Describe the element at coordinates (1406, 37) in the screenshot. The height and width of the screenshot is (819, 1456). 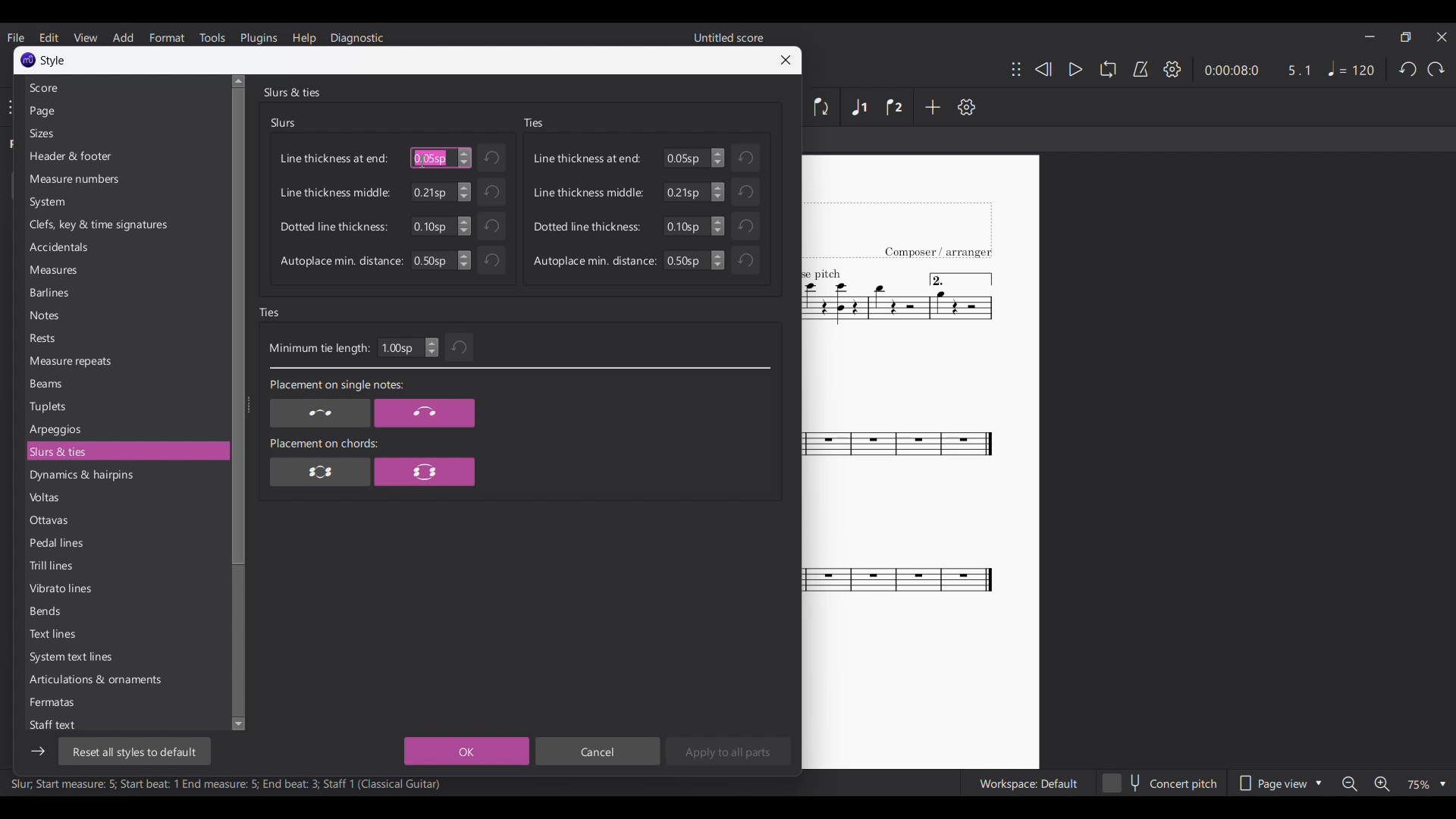
I see `Show in smaller tab` at that location.